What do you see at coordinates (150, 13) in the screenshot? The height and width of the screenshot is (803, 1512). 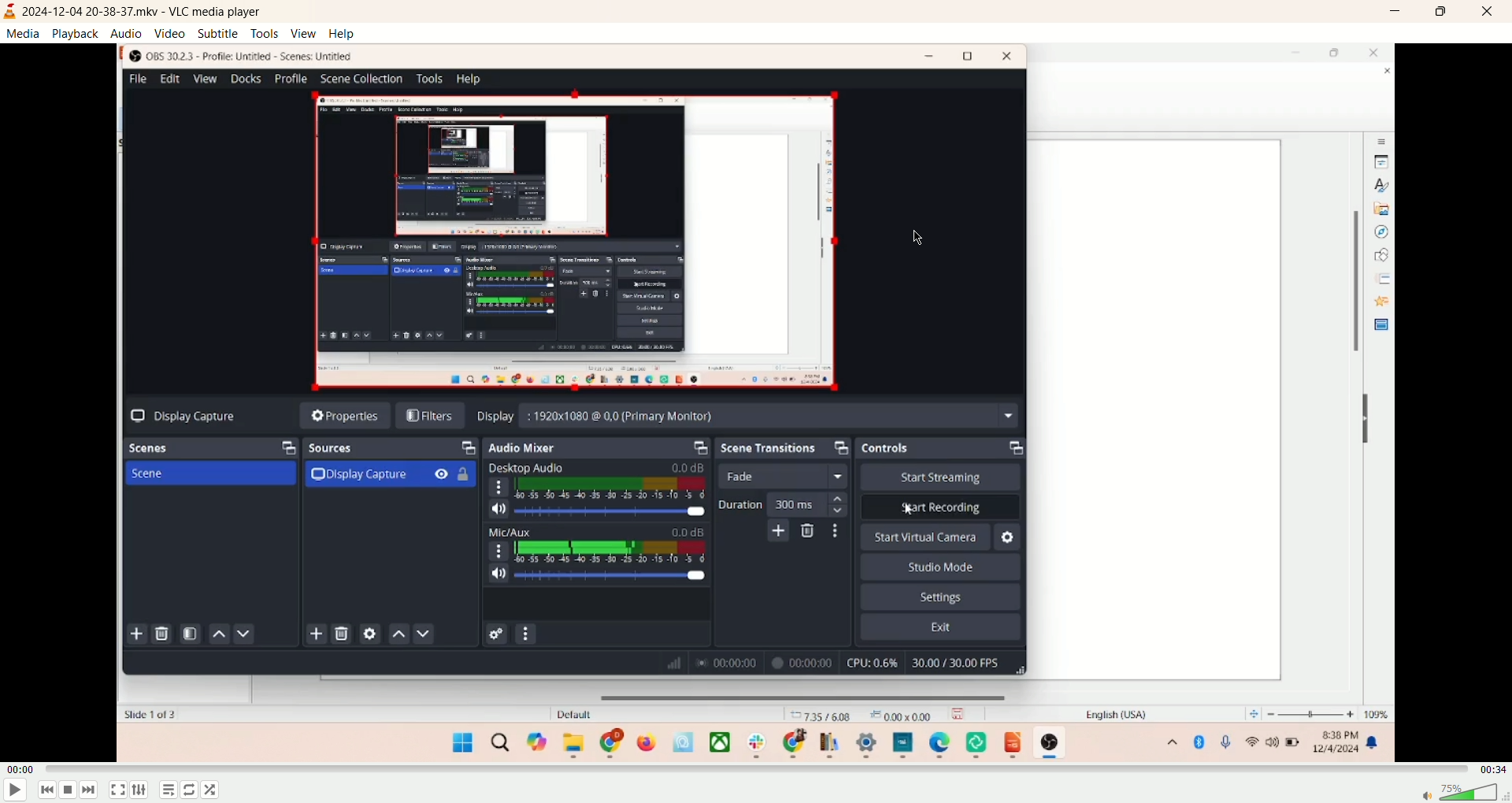 I see `2024-12-04 20-38-37.mkv - VLC media player` at bounding box center [150, 13].